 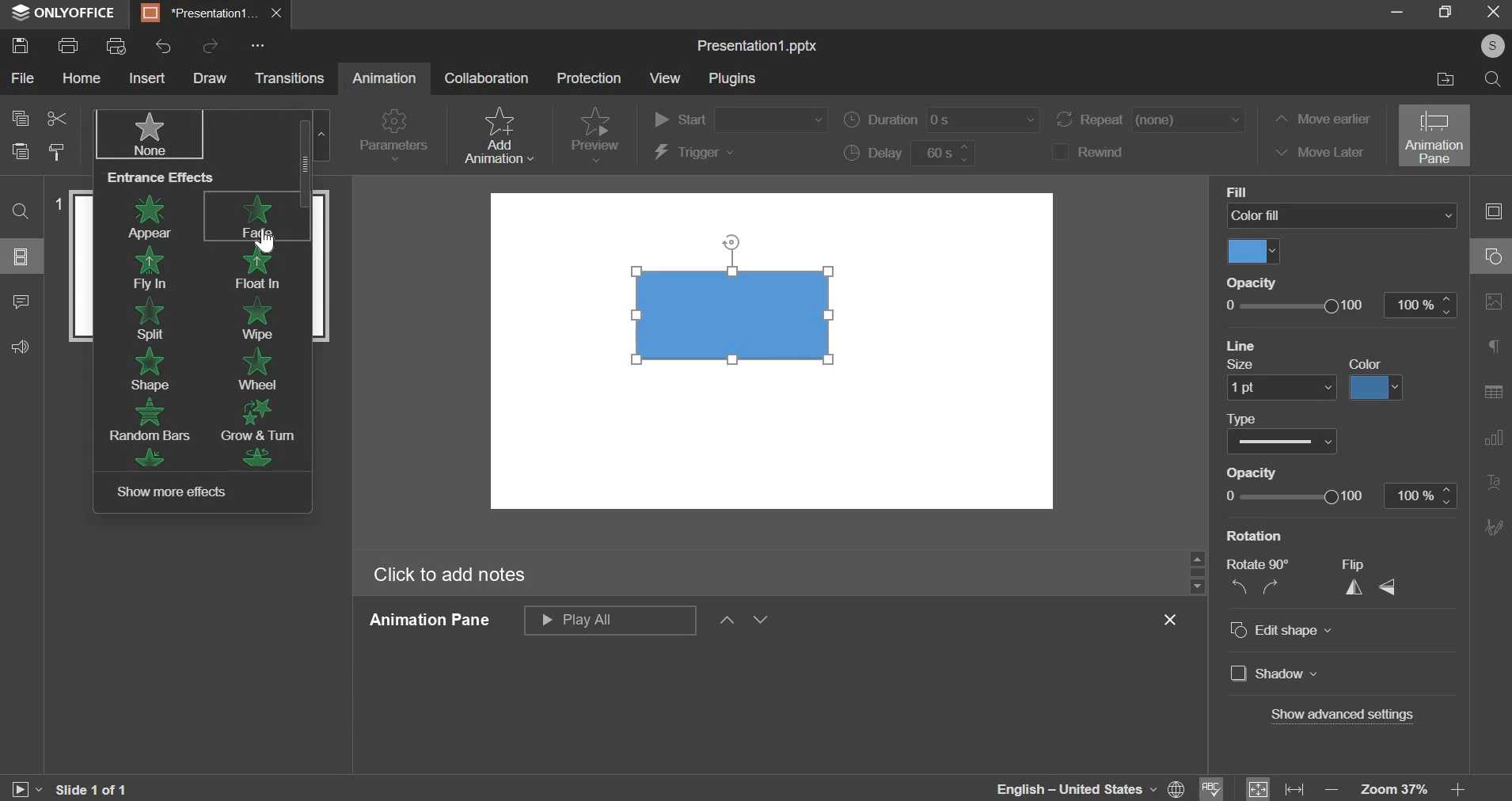 What do you see at coordinates (22, 78) in the screenshot?
I see `file` at bounding box center [22, 78].